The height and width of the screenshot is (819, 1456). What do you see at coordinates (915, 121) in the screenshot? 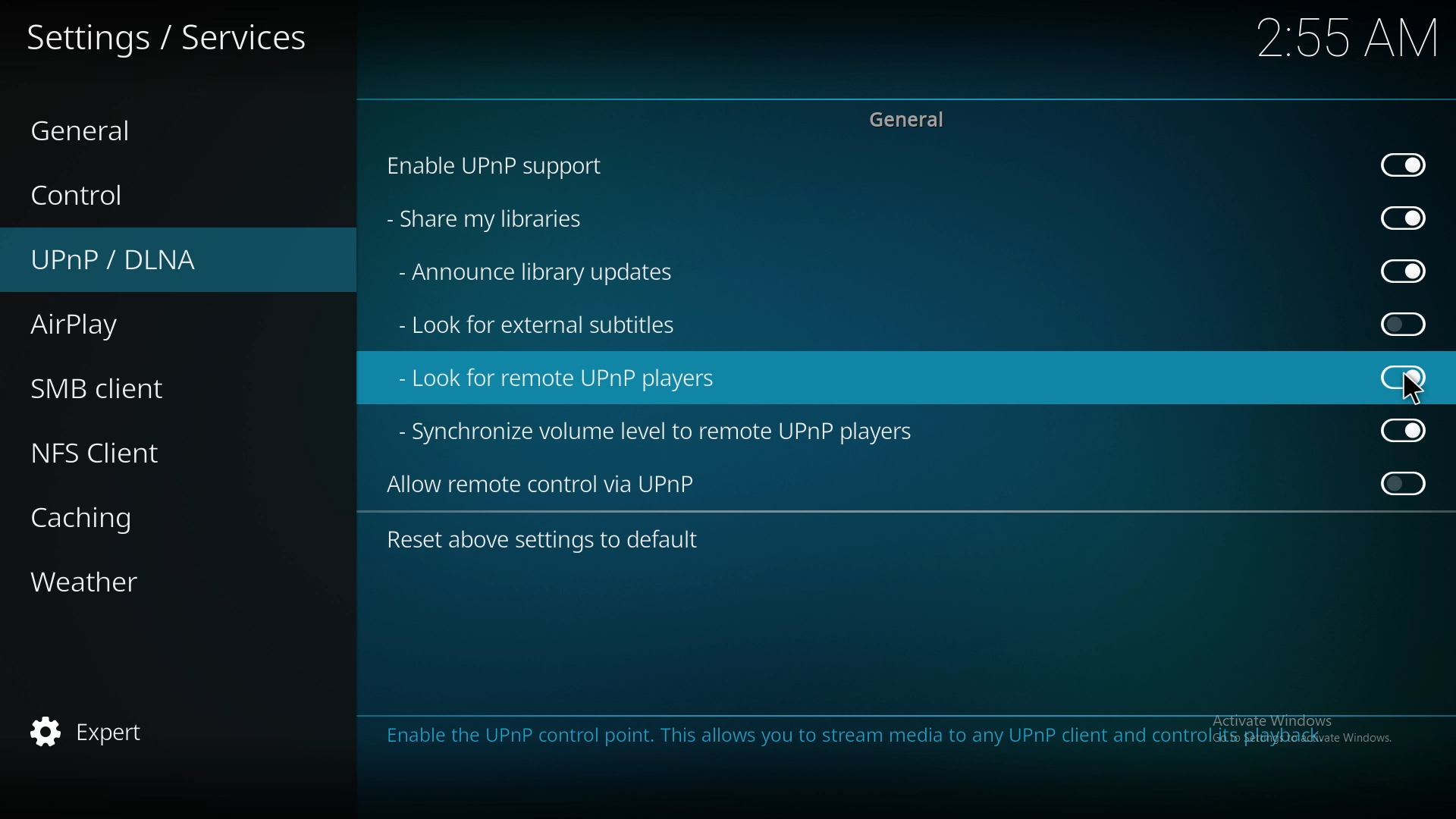
I see `general` at bounding box center [915, 121].